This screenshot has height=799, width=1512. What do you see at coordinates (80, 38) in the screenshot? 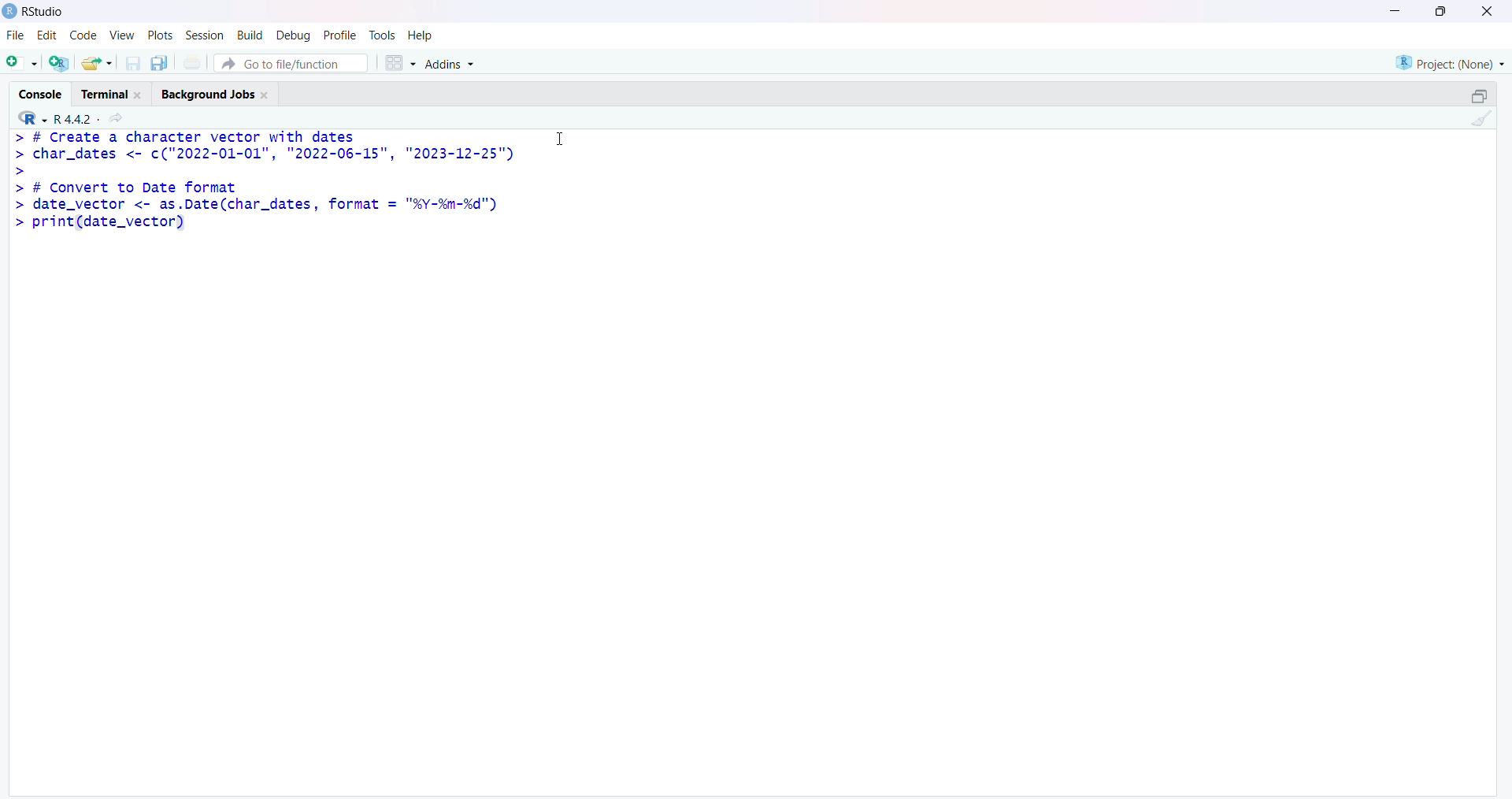
I see `Code` at bounding box center [80, 38].